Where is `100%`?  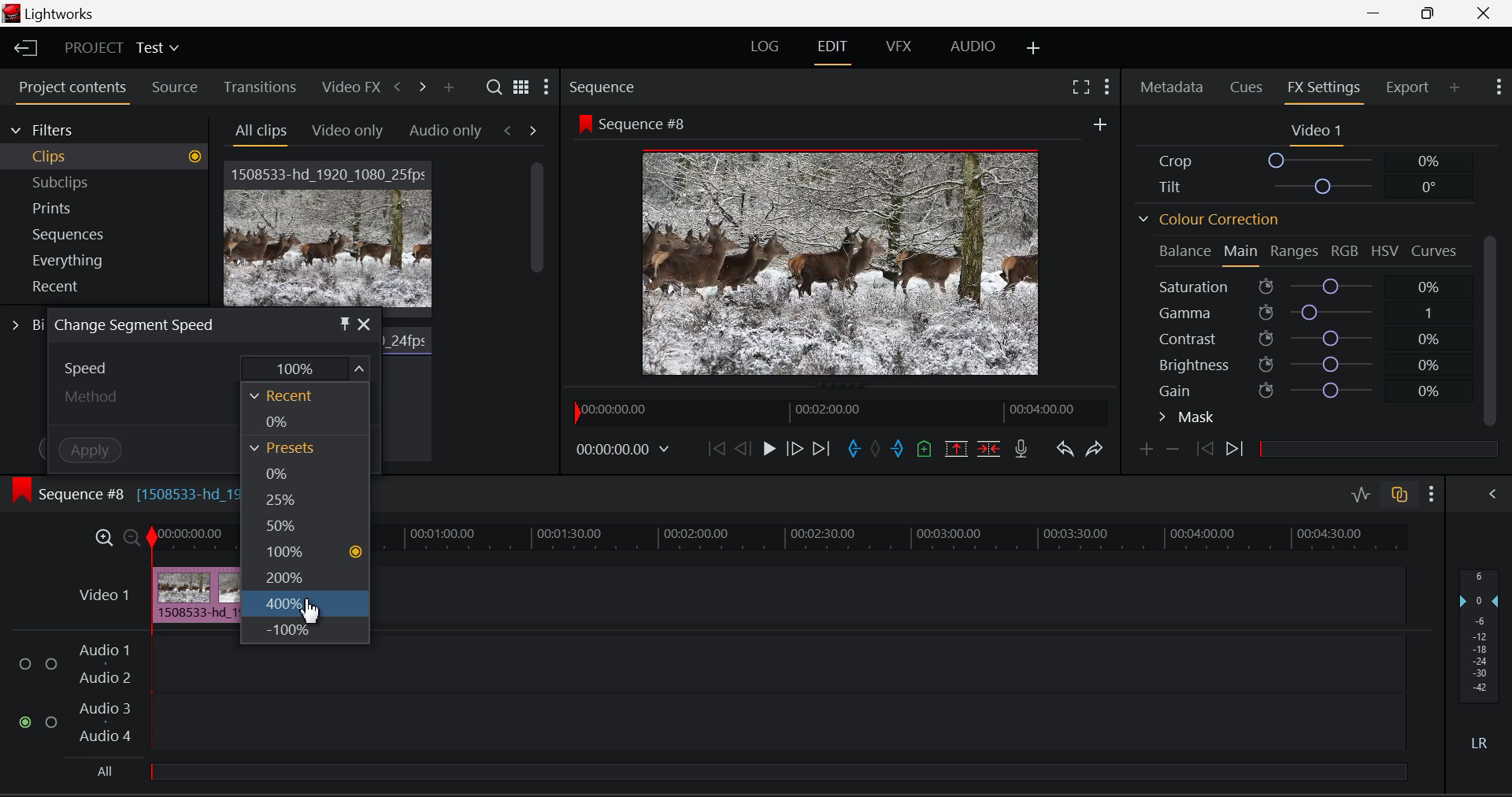 100% is located at coordinates (304, 367).